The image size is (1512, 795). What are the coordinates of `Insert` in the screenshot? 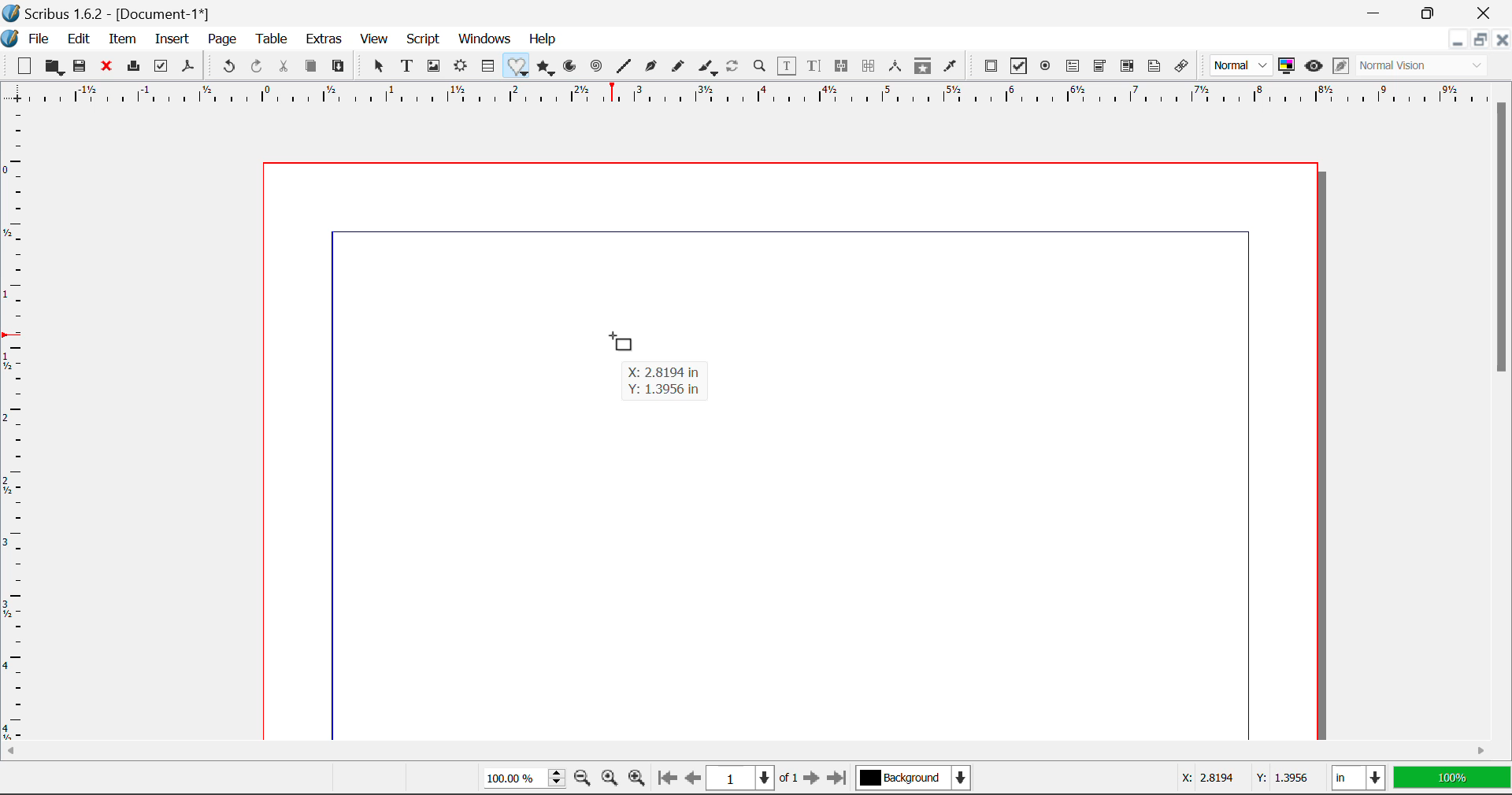 It's located at (170, 39).